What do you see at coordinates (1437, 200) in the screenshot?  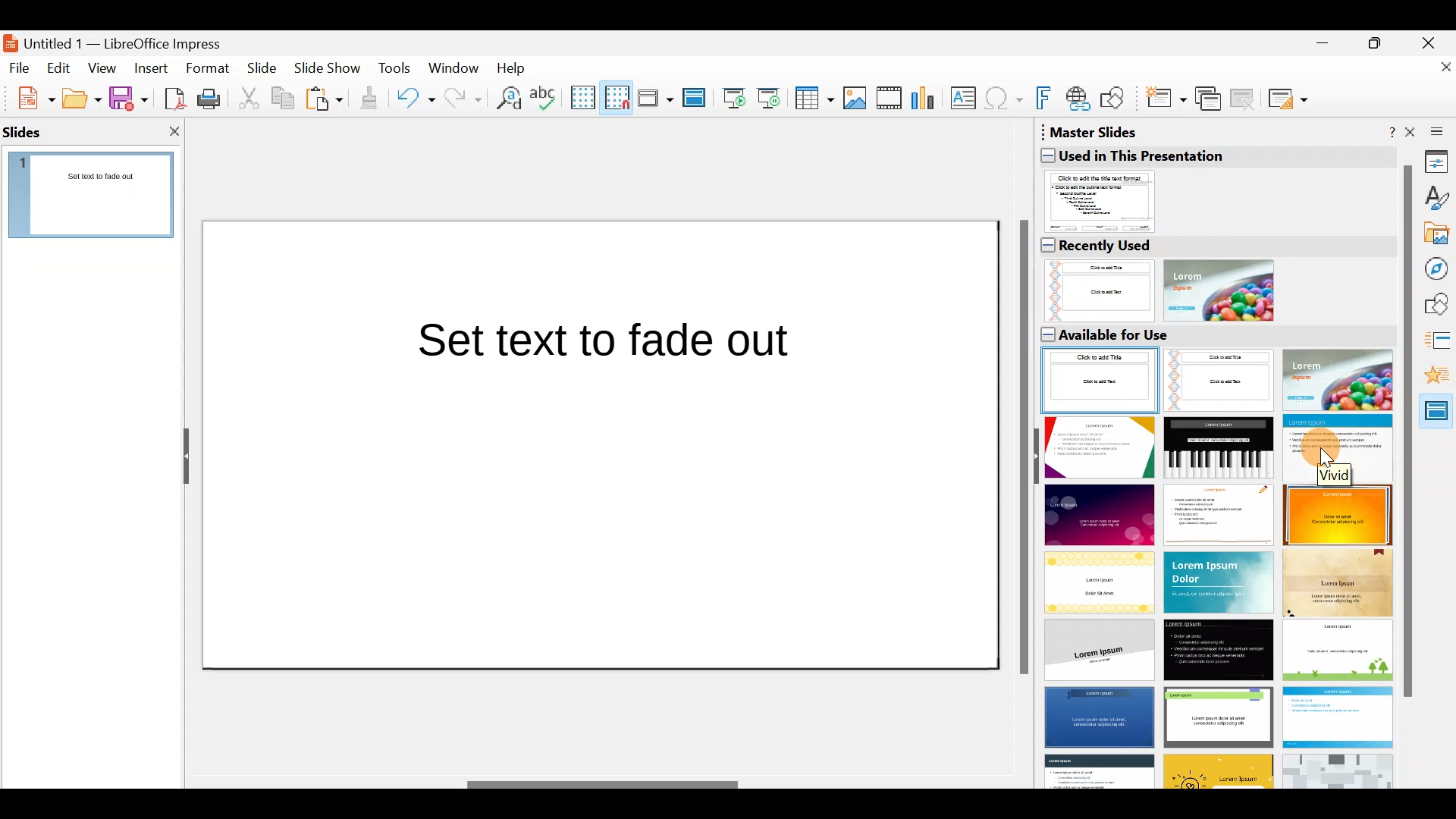 I see `Styles` at bounding box center [1437, 200].